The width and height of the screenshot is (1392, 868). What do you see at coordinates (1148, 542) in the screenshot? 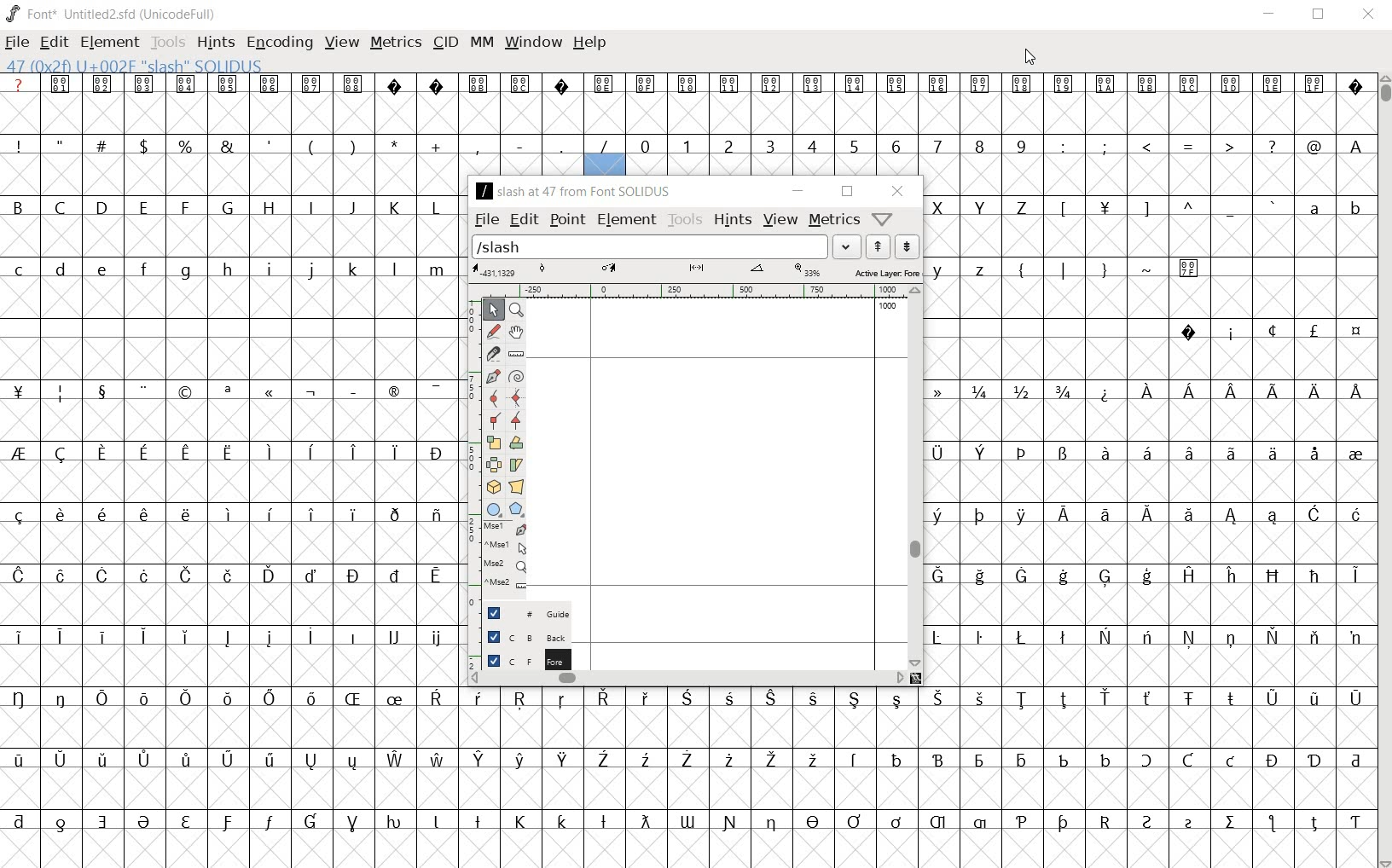
I see `empty cells` at bounding box center [1148, 542].